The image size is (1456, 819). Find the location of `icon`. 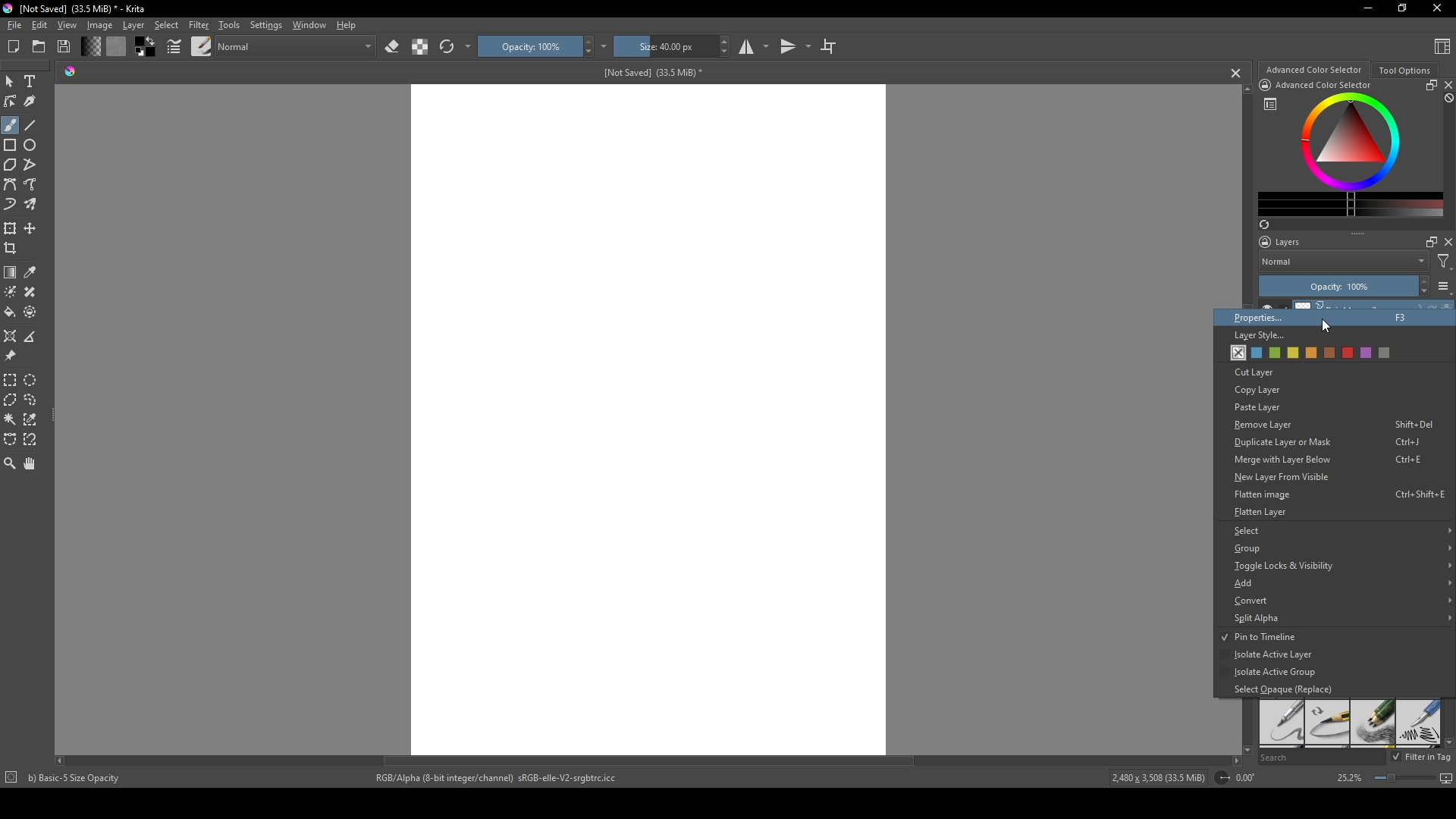

icon is located at coordinates (10, 779).